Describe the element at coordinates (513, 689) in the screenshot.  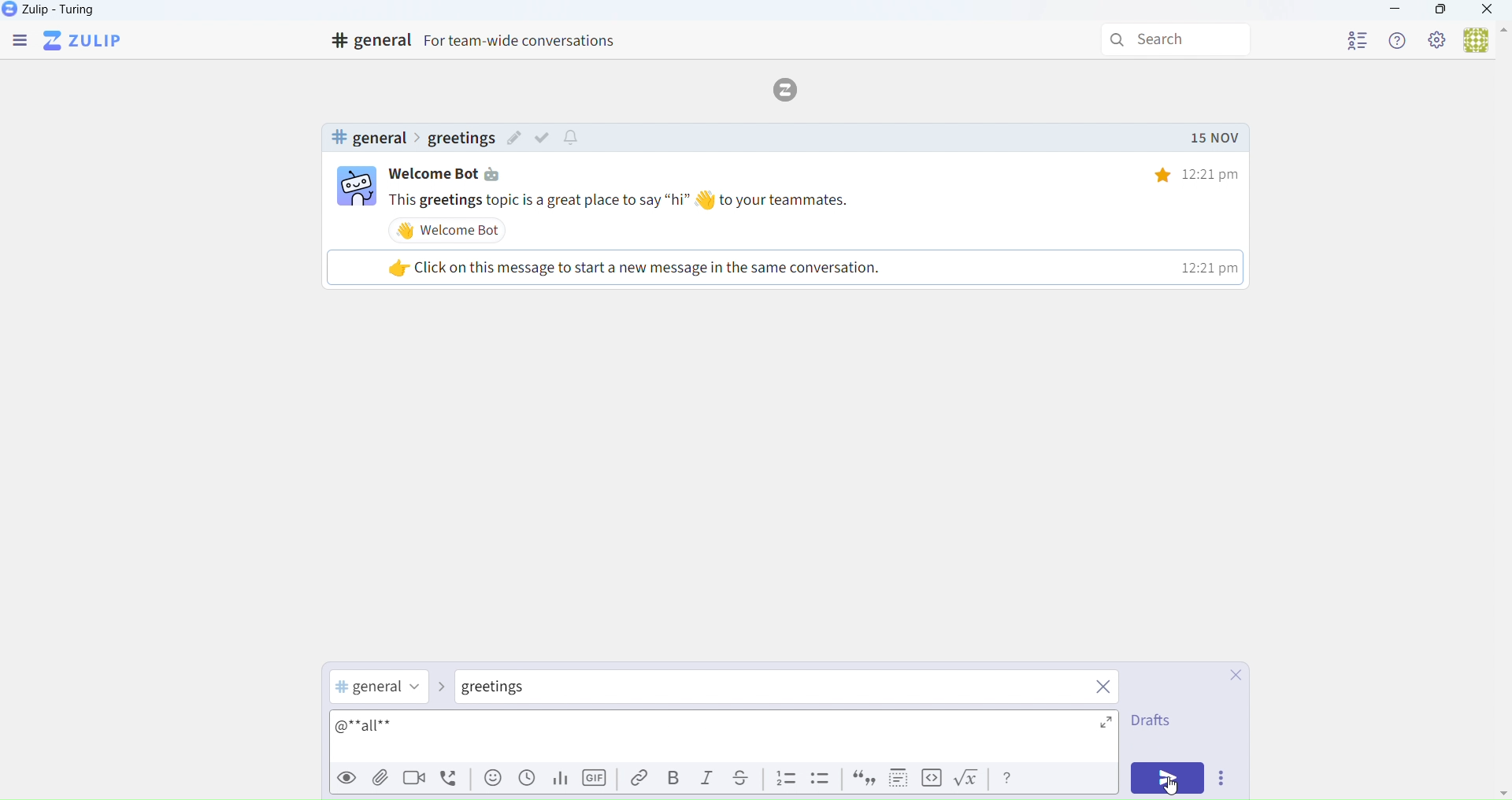
I see `Direct Message` at that location.